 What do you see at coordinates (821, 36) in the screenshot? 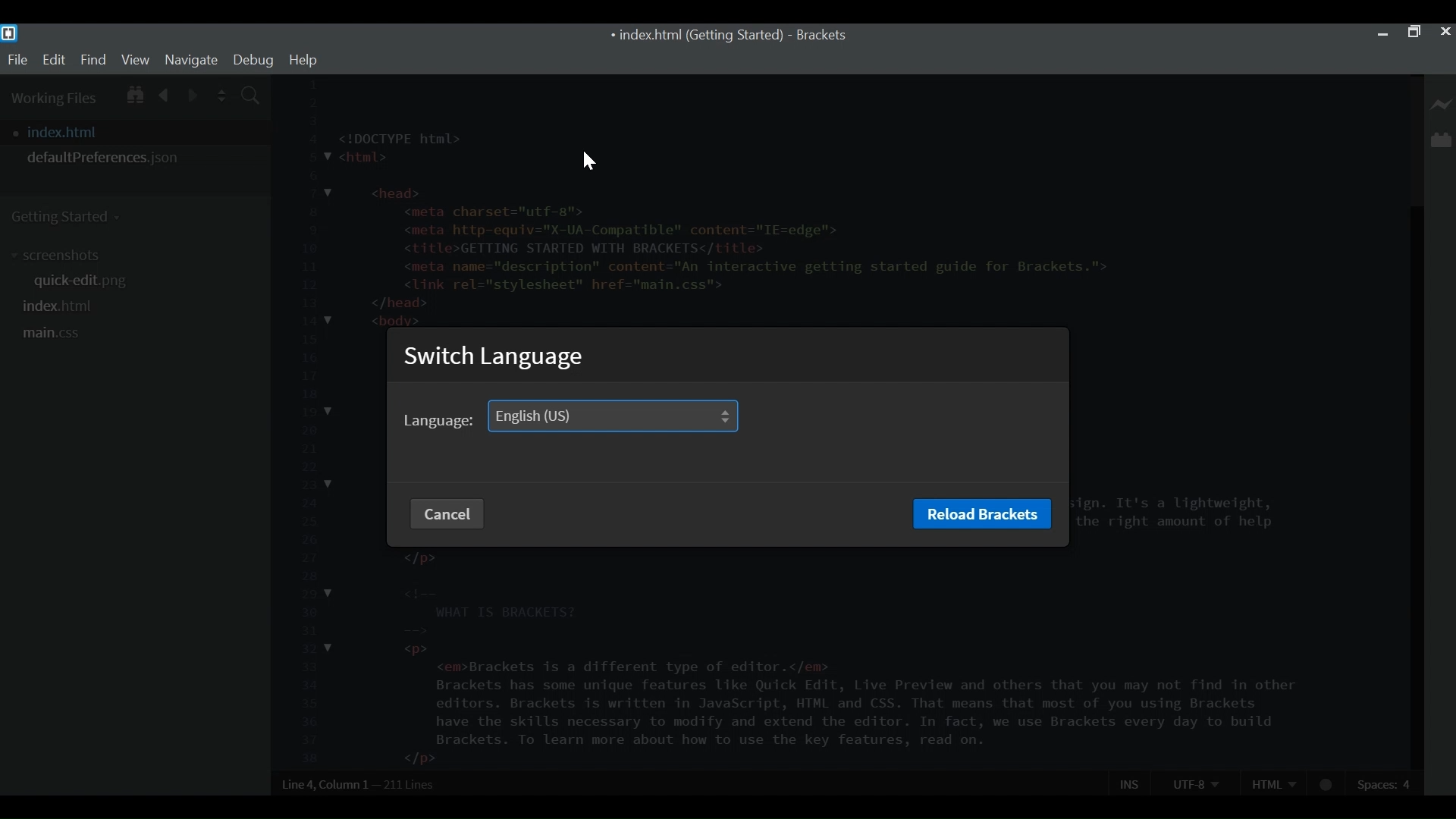
I see `Brackets` at bounding box center [821, 36].